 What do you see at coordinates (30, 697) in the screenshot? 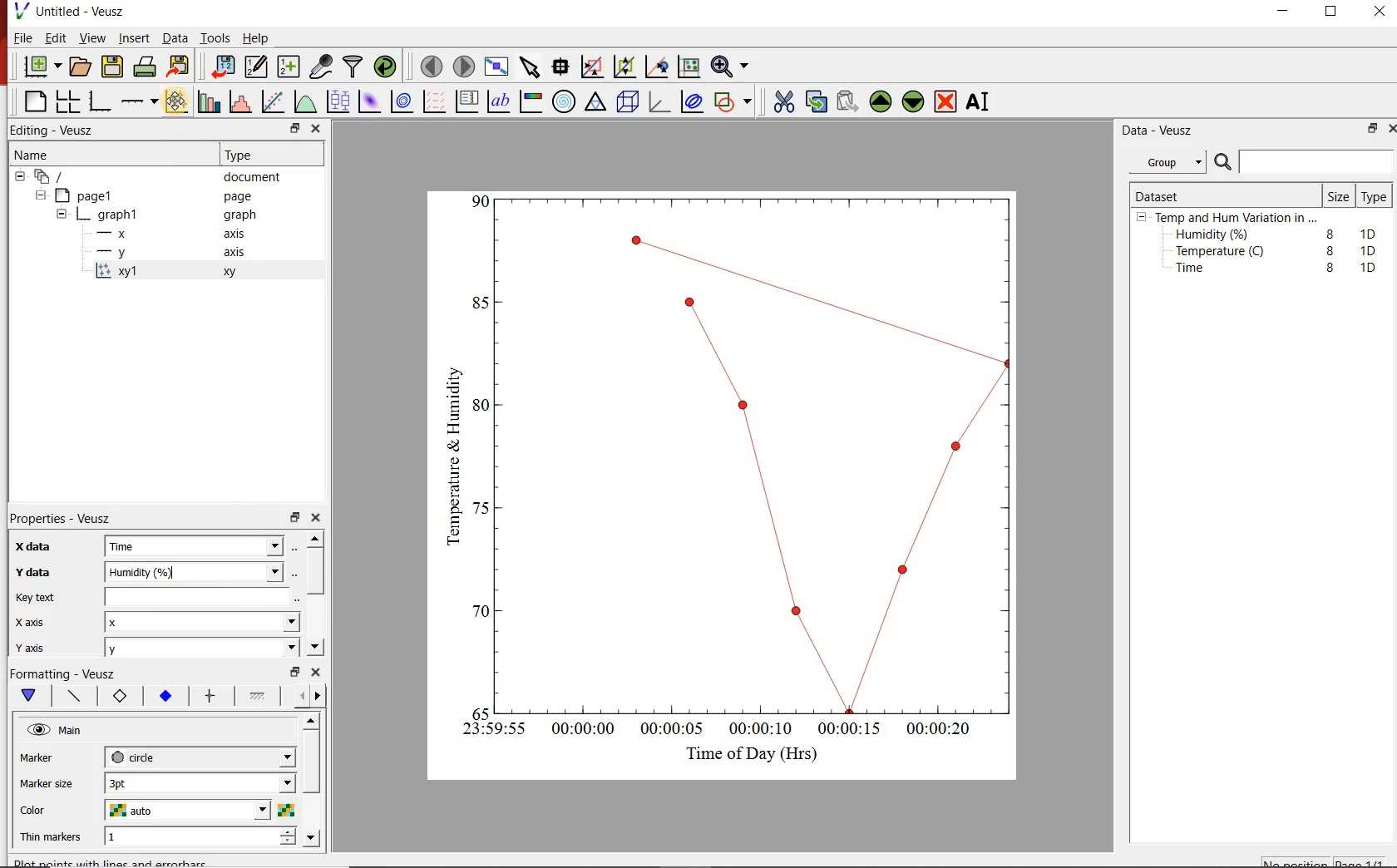
I see `main formatting` at bounding box center [30, 697].